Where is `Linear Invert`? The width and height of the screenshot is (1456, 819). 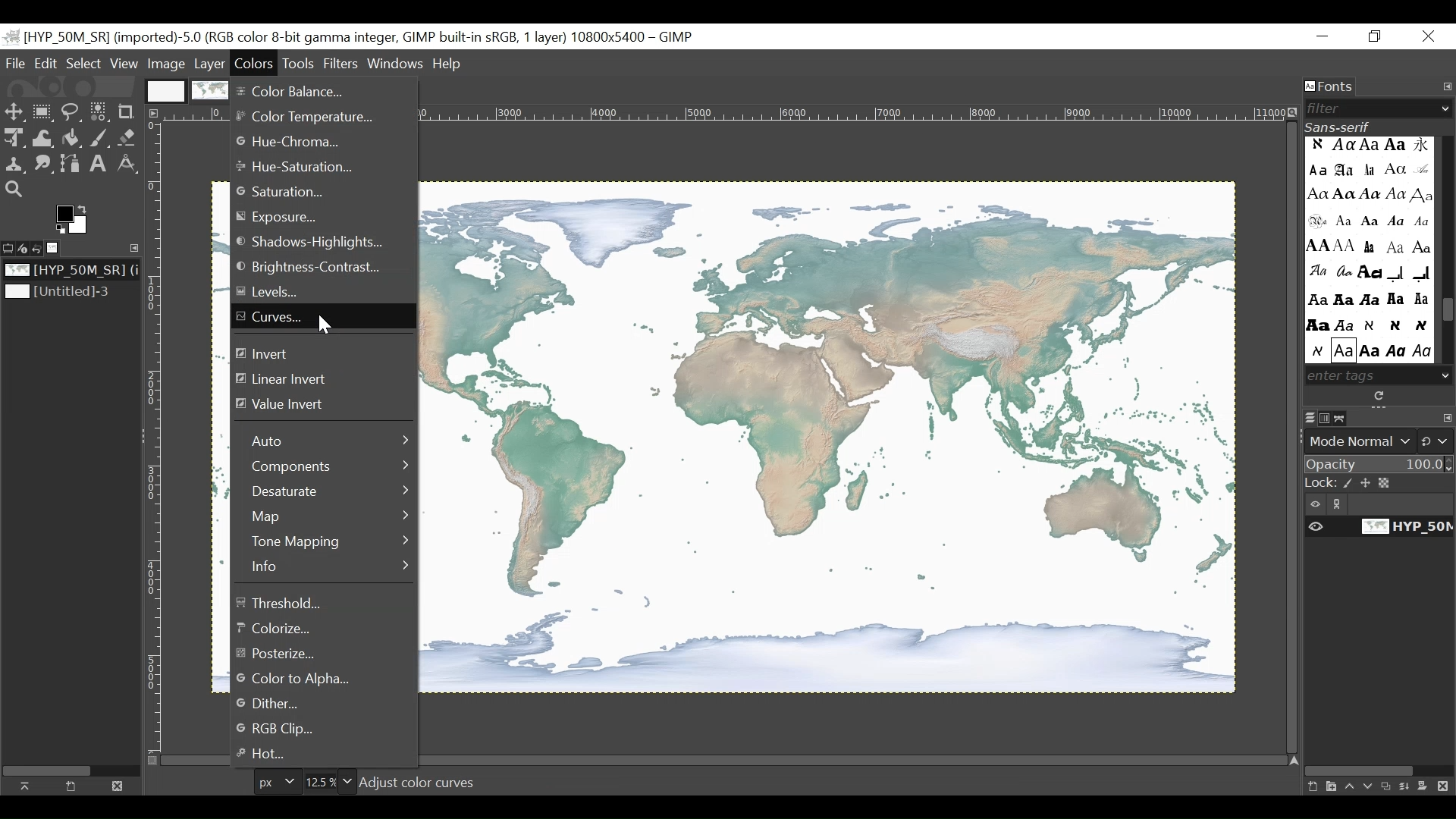 Linear Invert is located at coordinates (324, 379).